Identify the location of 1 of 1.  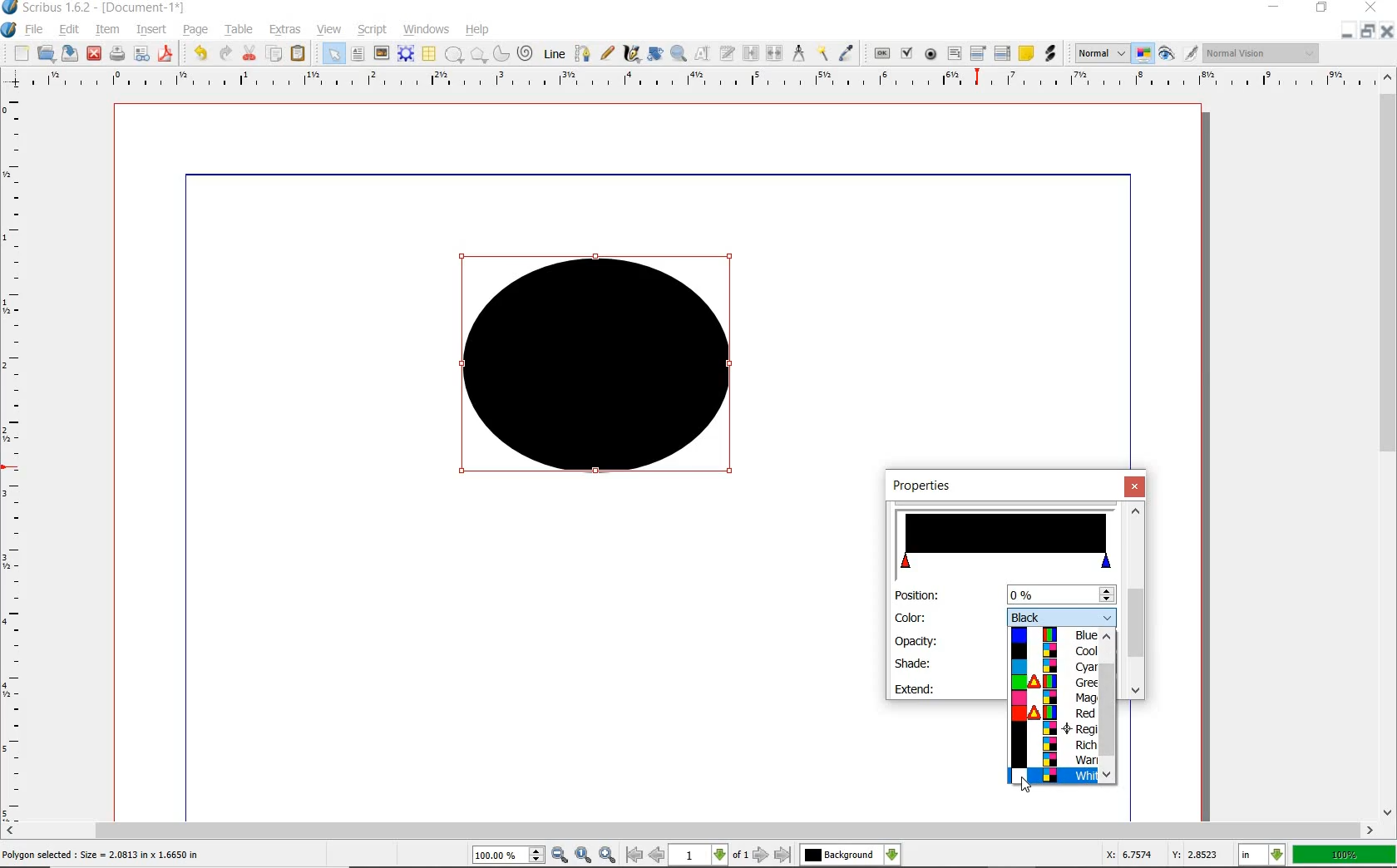
(710, 855).